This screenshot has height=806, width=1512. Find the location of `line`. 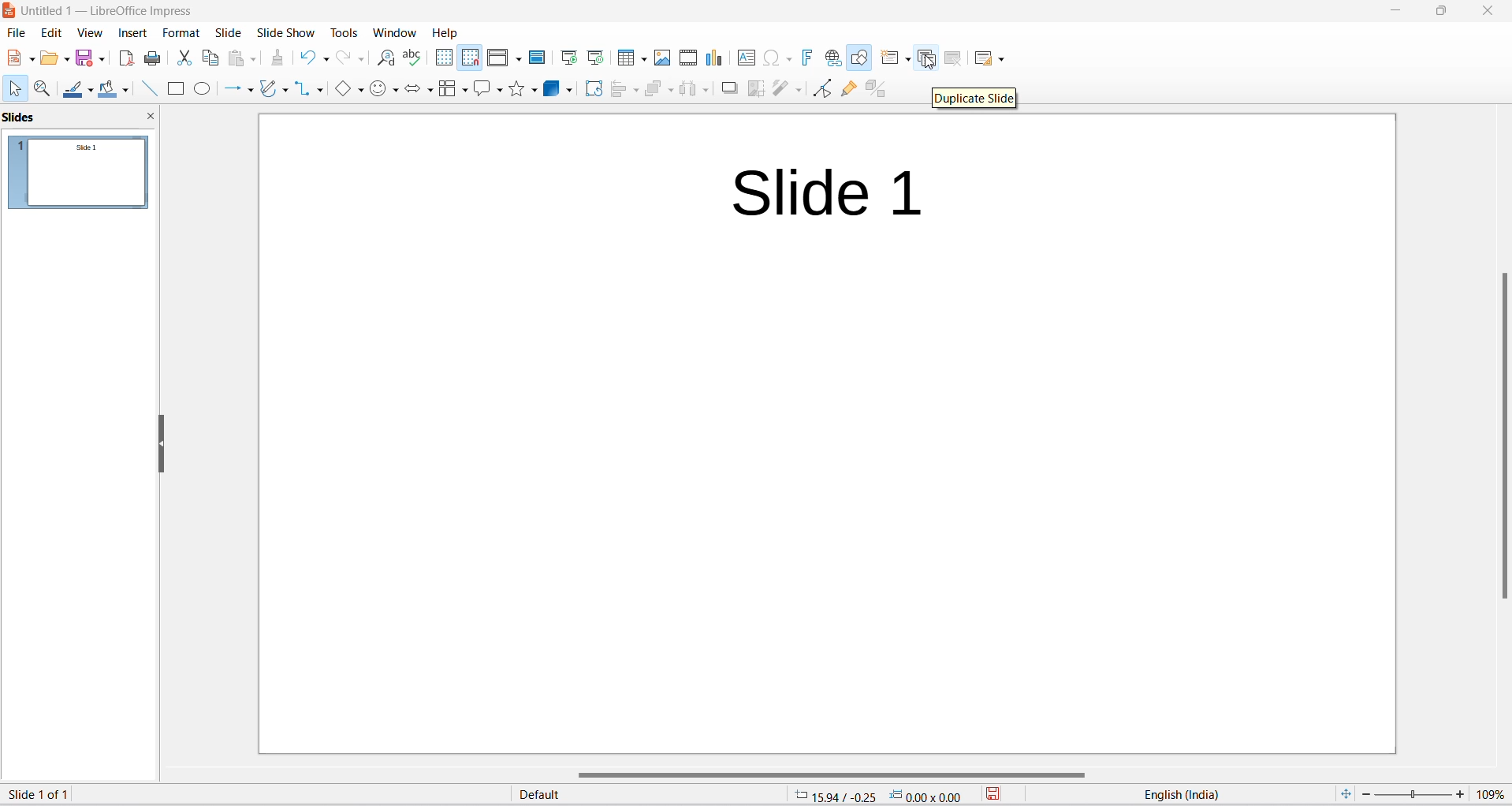

line is located at coordinates (151, 92).